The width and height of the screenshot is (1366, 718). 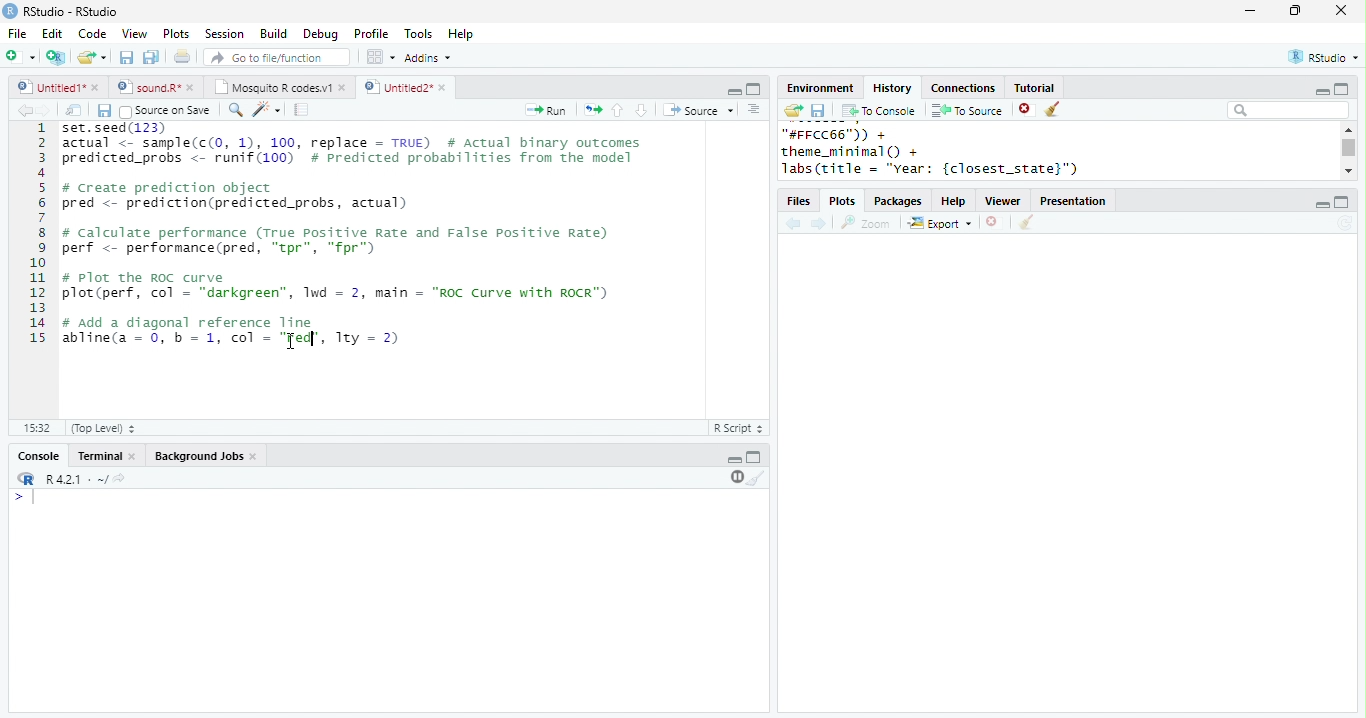 I want to click on logo, so click(x=10, y=10).